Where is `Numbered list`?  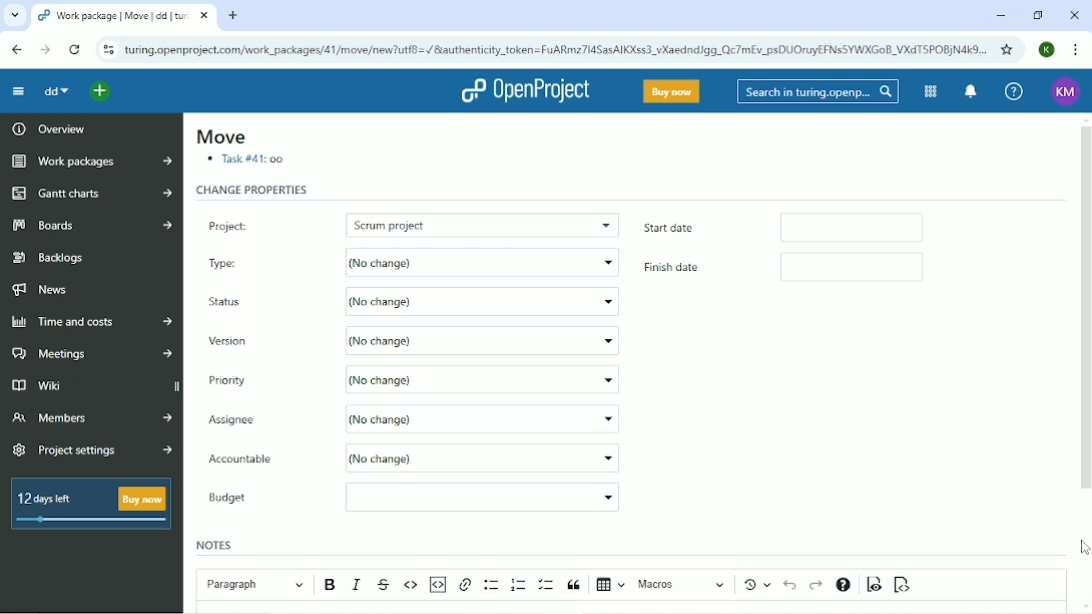
Numbered list is located at coordinates (519, 584).